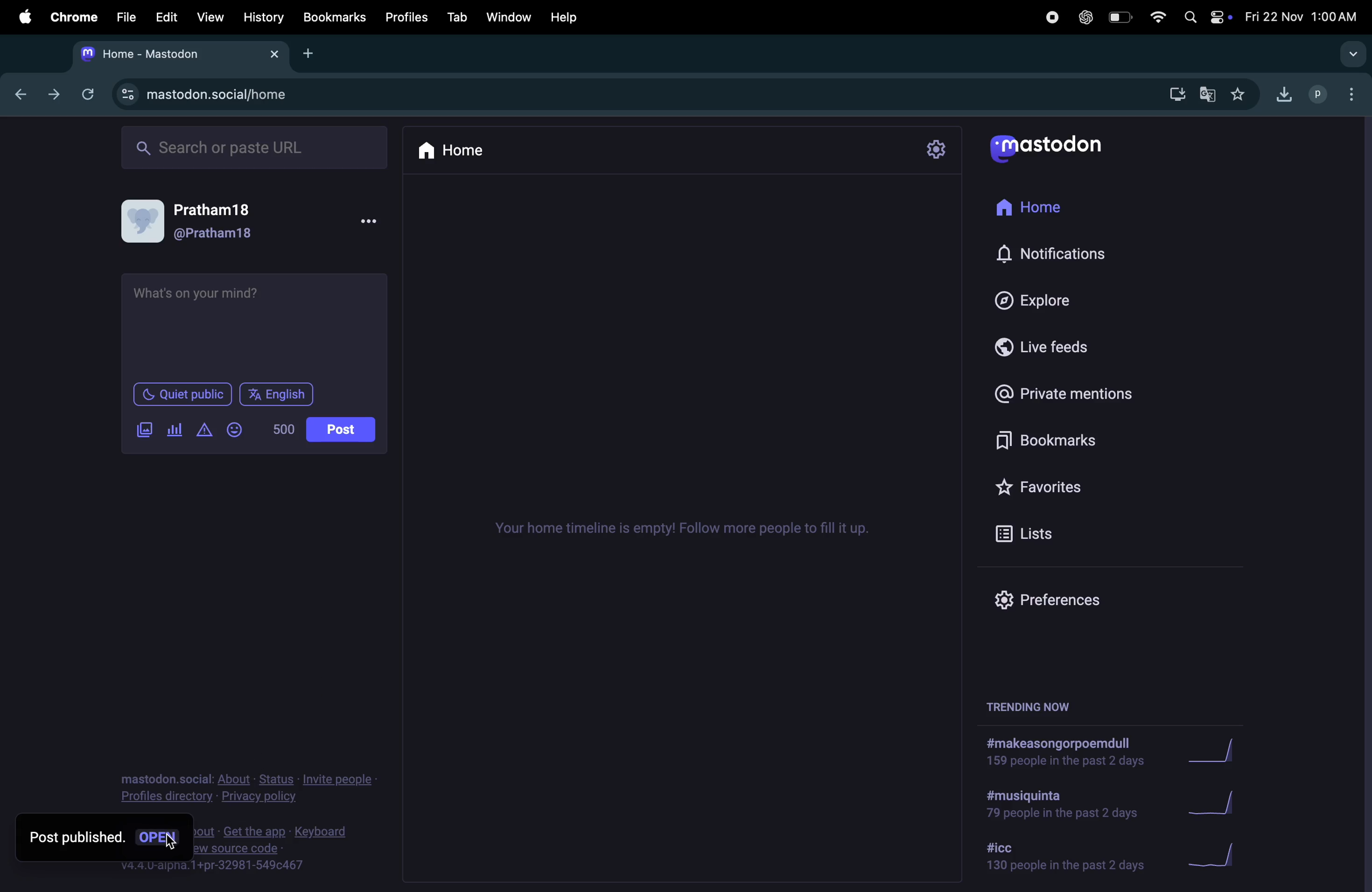  Describe the element at coordinates (335, 18) in the screenshot. I see `book marks` at that location.